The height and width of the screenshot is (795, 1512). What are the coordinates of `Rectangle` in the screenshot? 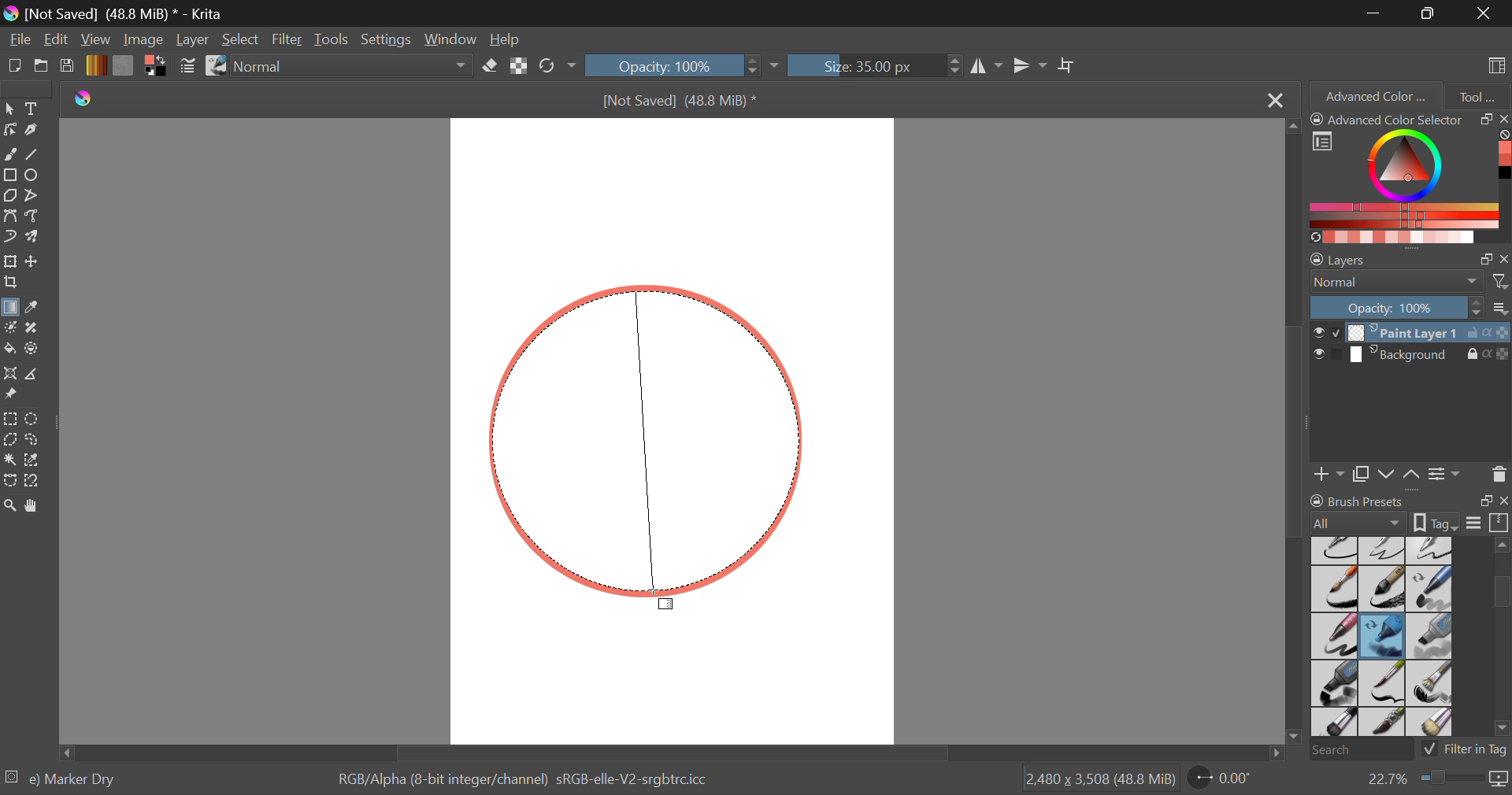 It's located at (9, 176).